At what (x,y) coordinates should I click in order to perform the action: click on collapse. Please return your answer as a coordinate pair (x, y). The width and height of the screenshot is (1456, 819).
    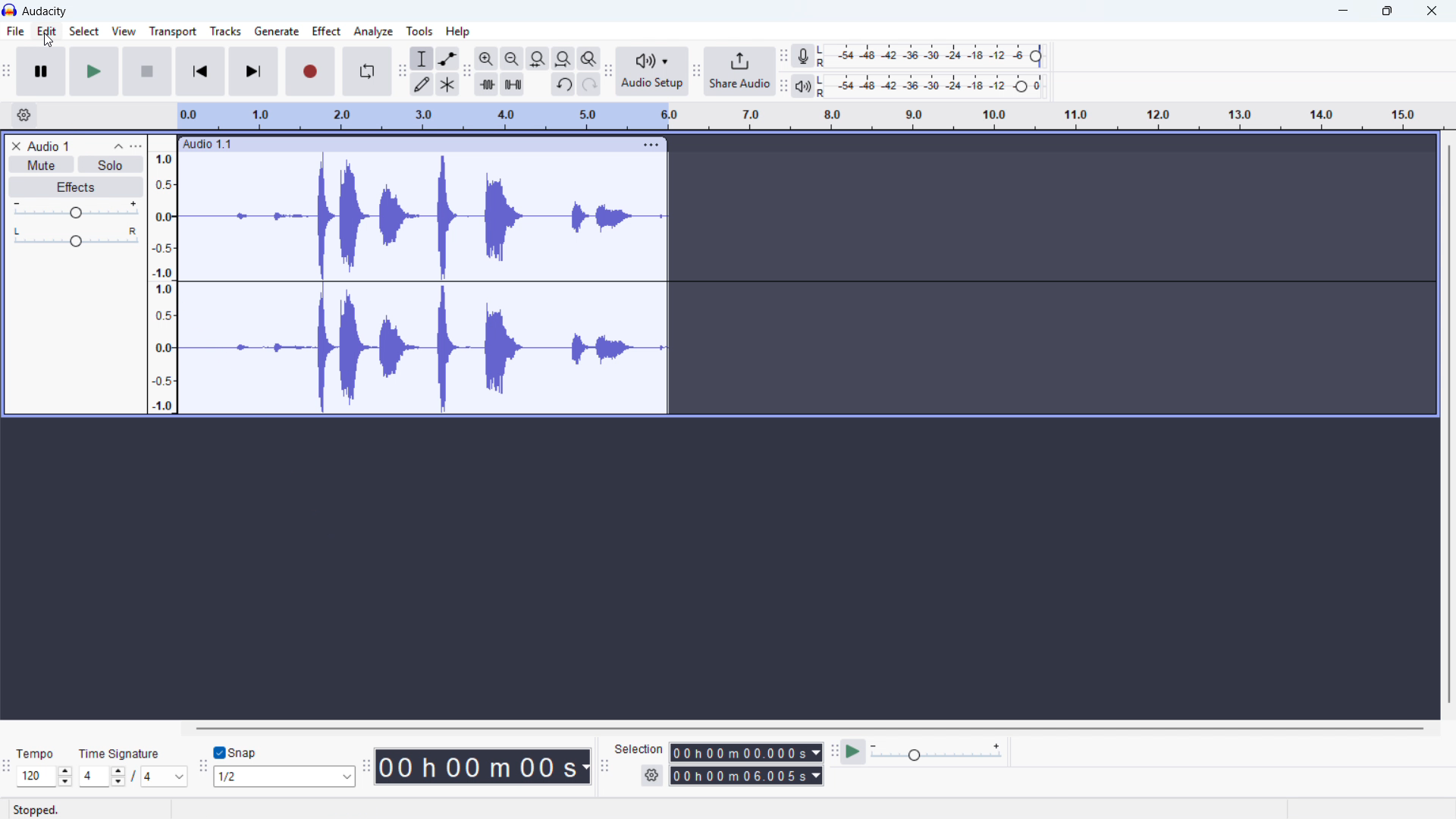
    Looking at the image, I should click on (118, 146).